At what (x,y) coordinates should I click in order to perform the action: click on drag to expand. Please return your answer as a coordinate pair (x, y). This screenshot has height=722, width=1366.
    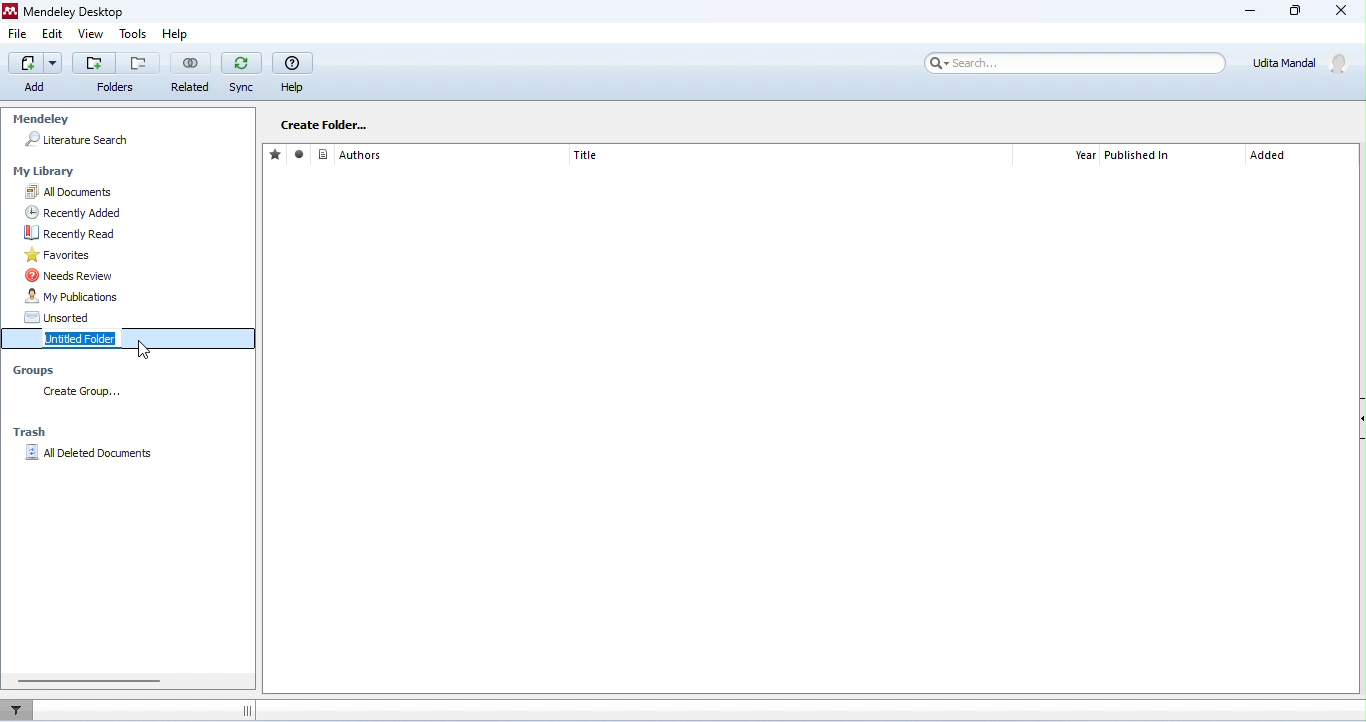
    Looking at the image, I should click on (246, 711).